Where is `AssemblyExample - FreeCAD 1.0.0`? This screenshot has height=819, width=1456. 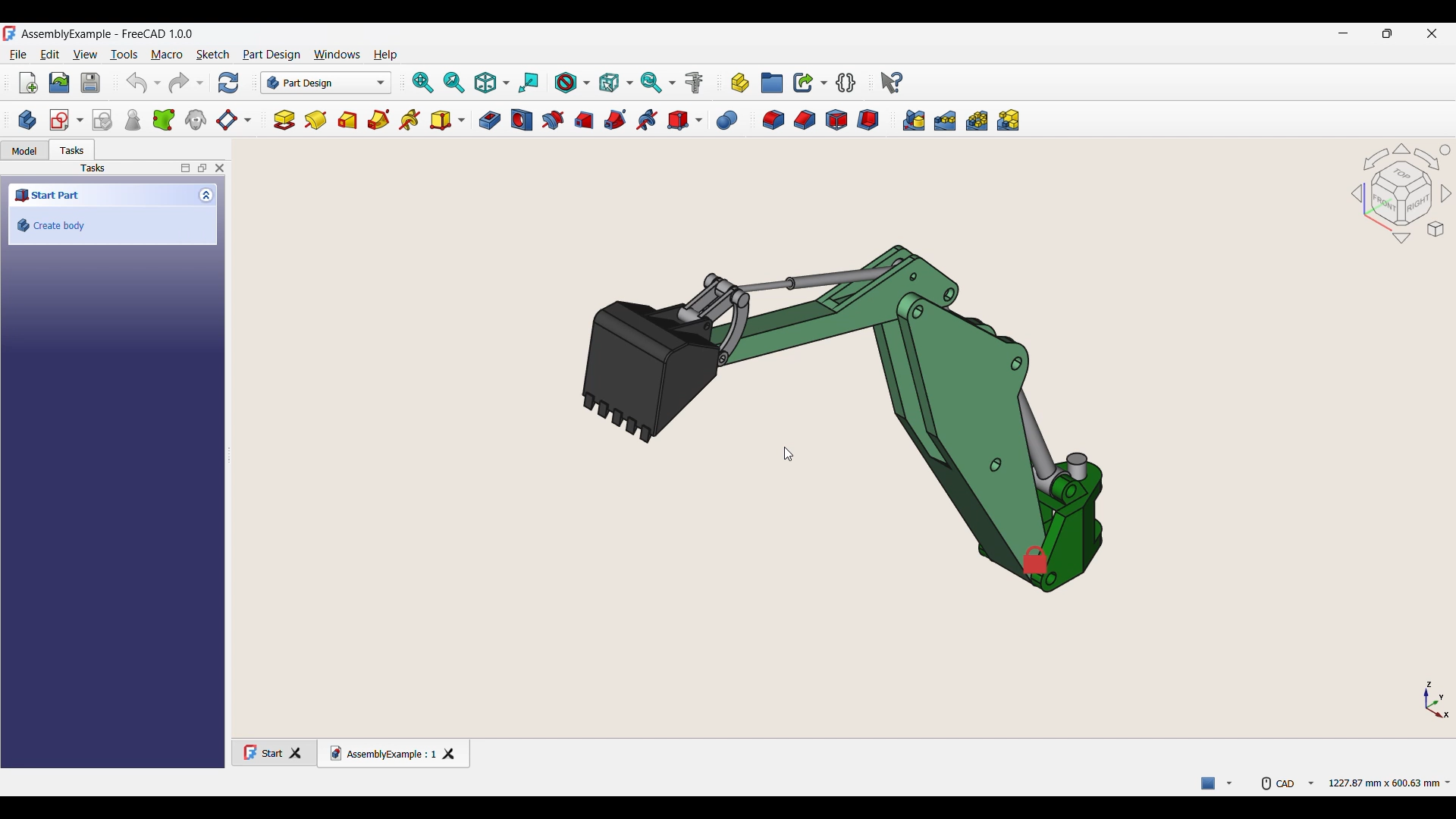 AssemblyExample - FreeCAD 1.0.0 is located at coordinates (108, 34).